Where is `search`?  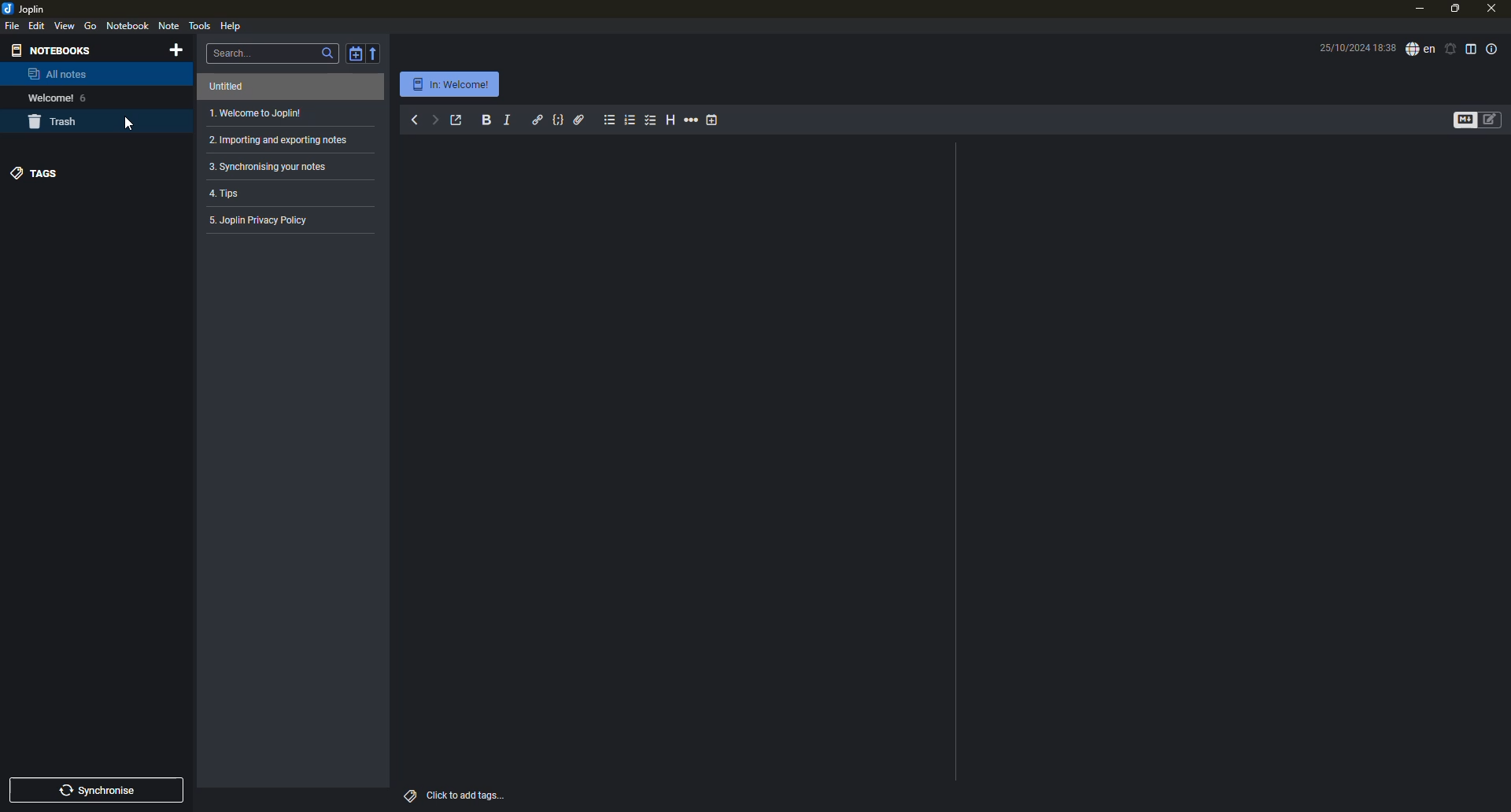 search is located at coordinates (327, 54).